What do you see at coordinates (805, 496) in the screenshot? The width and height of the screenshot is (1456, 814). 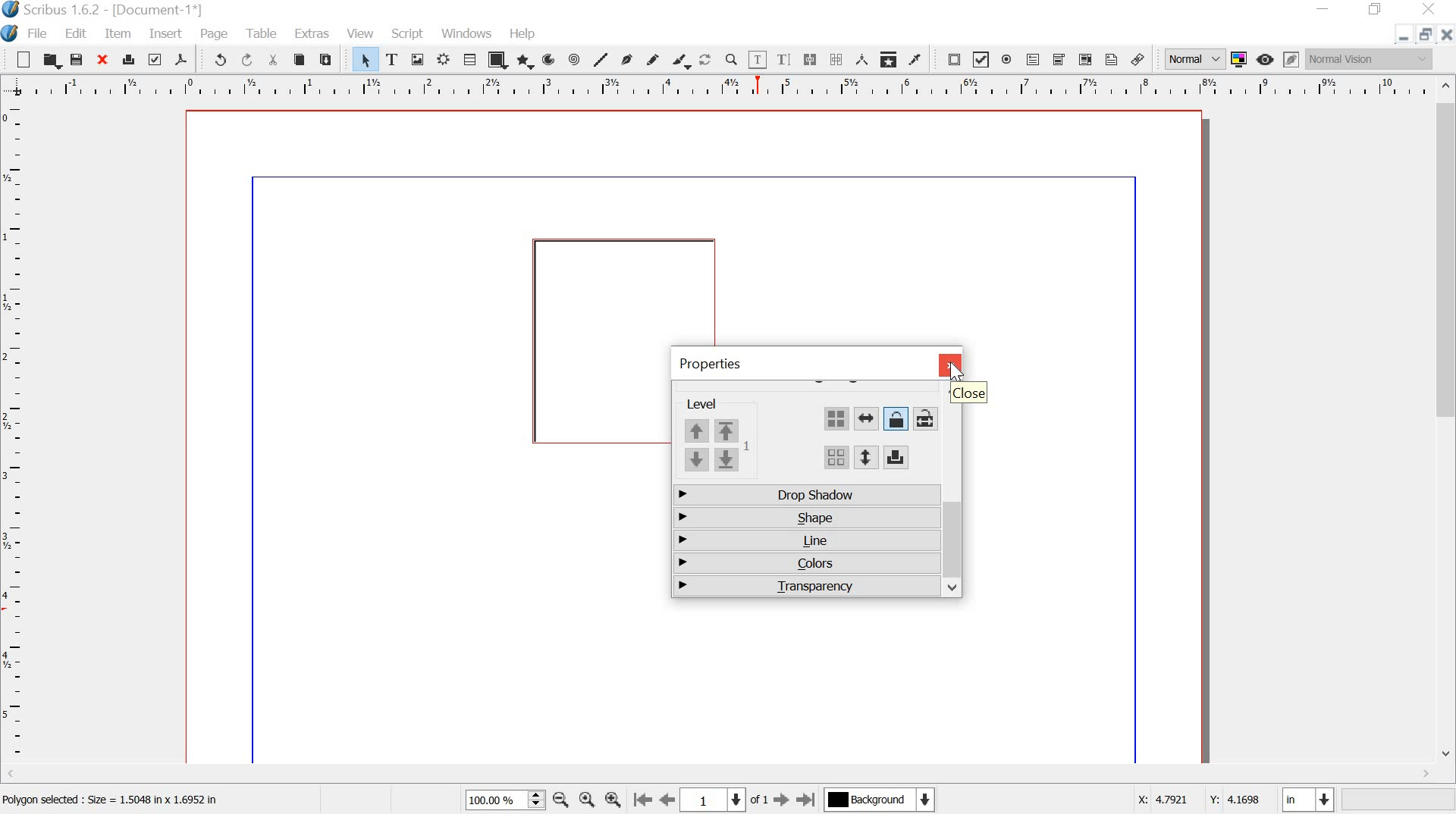 I see `drop shadow` at bounding box center [805, 496].